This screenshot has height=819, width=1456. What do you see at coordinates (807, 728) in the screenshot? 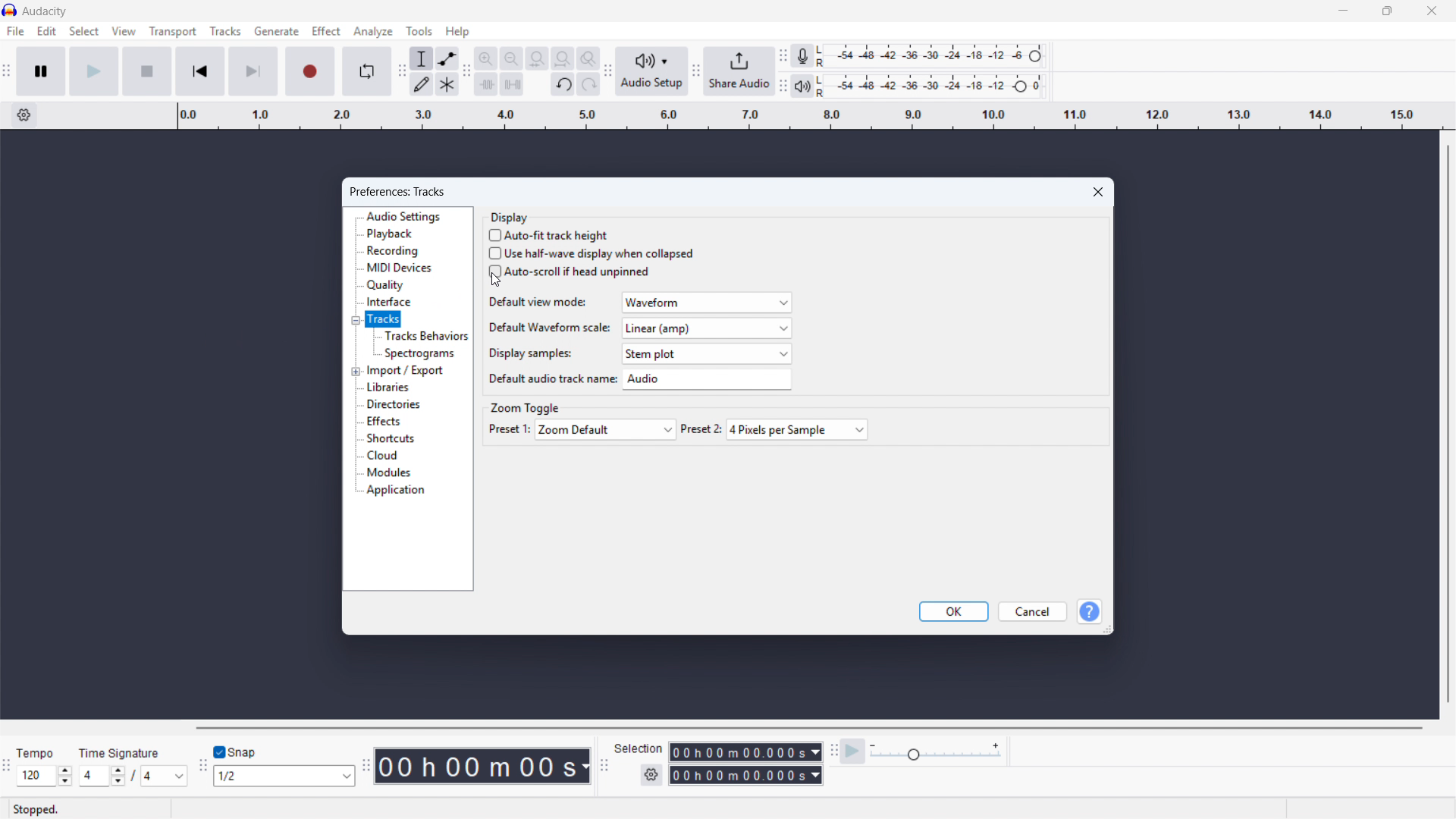
I see `horizontal scrollbar` at bounding box center [807, 728].